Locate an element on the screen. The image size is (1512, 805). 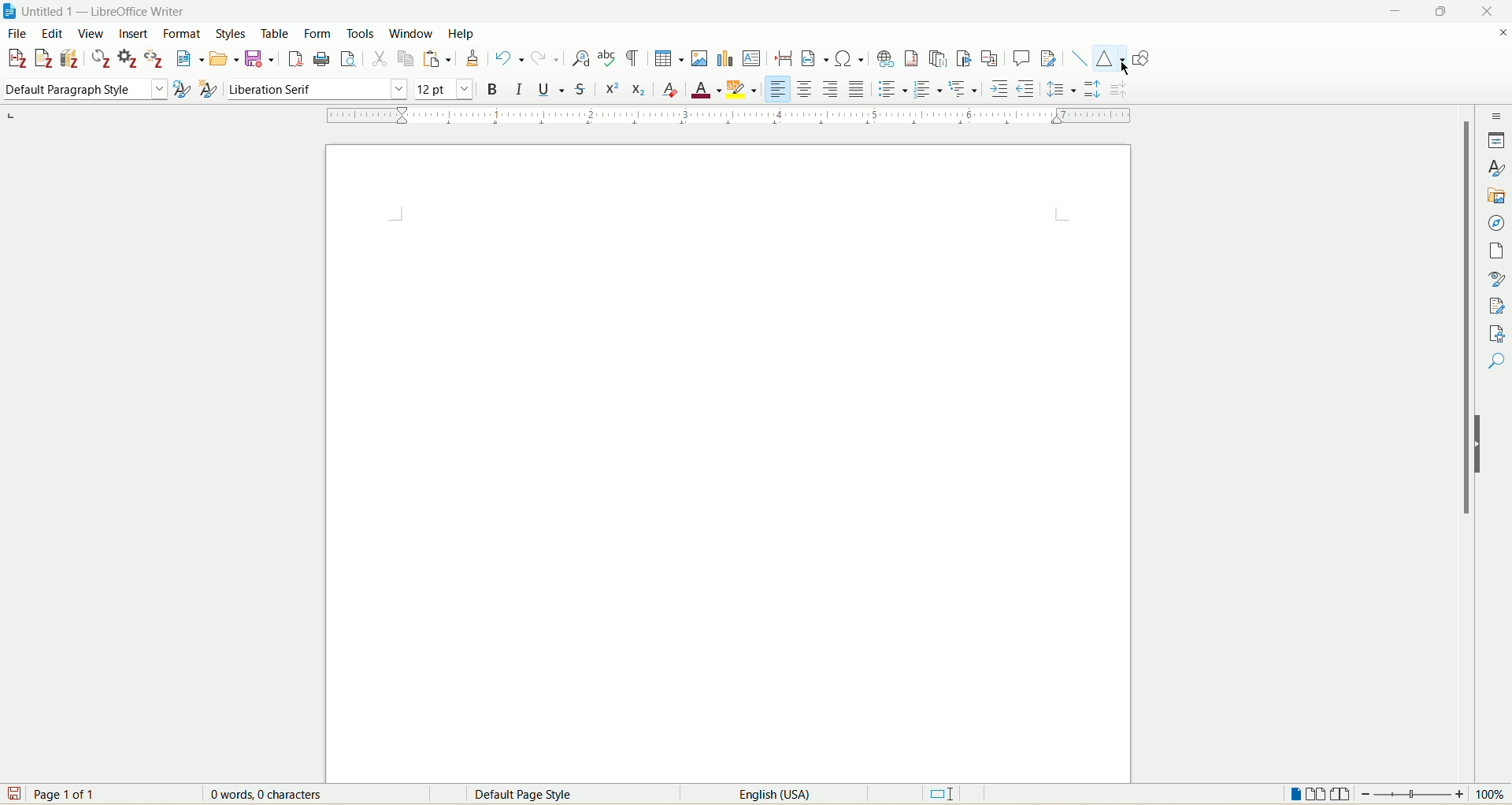
English(USA) is located at coordinates (763, 794).